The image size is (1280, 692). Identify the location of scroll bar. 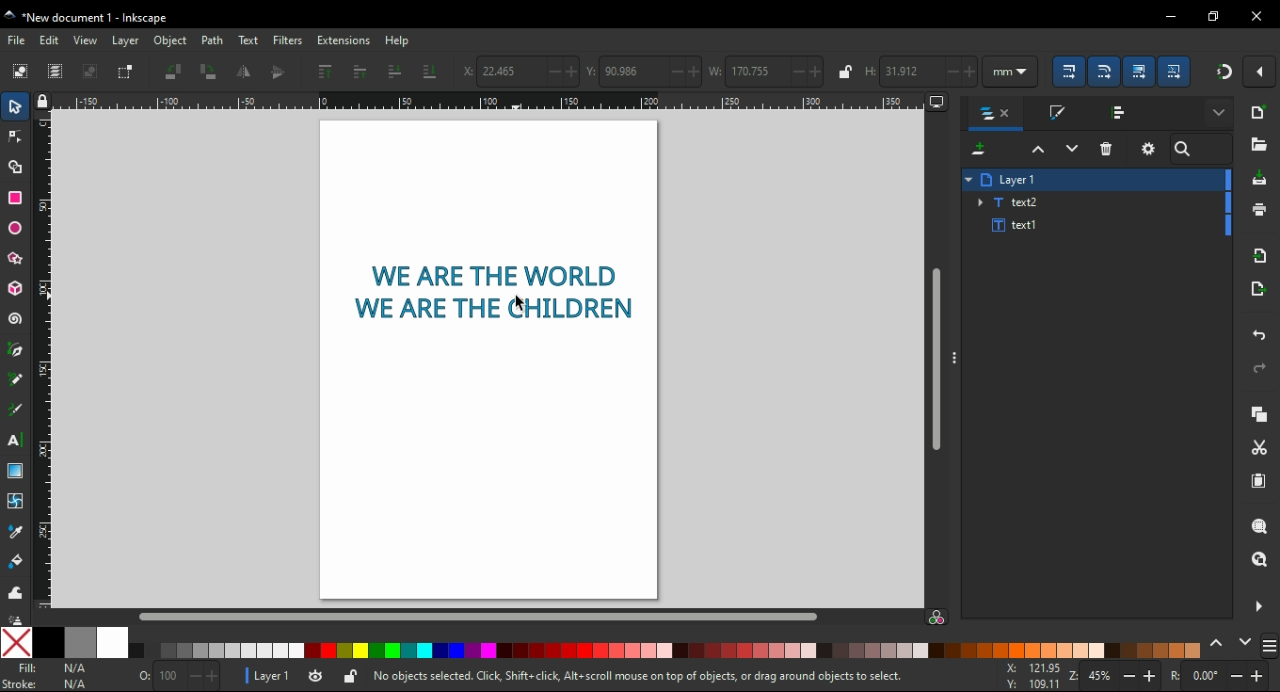
(937, 361).